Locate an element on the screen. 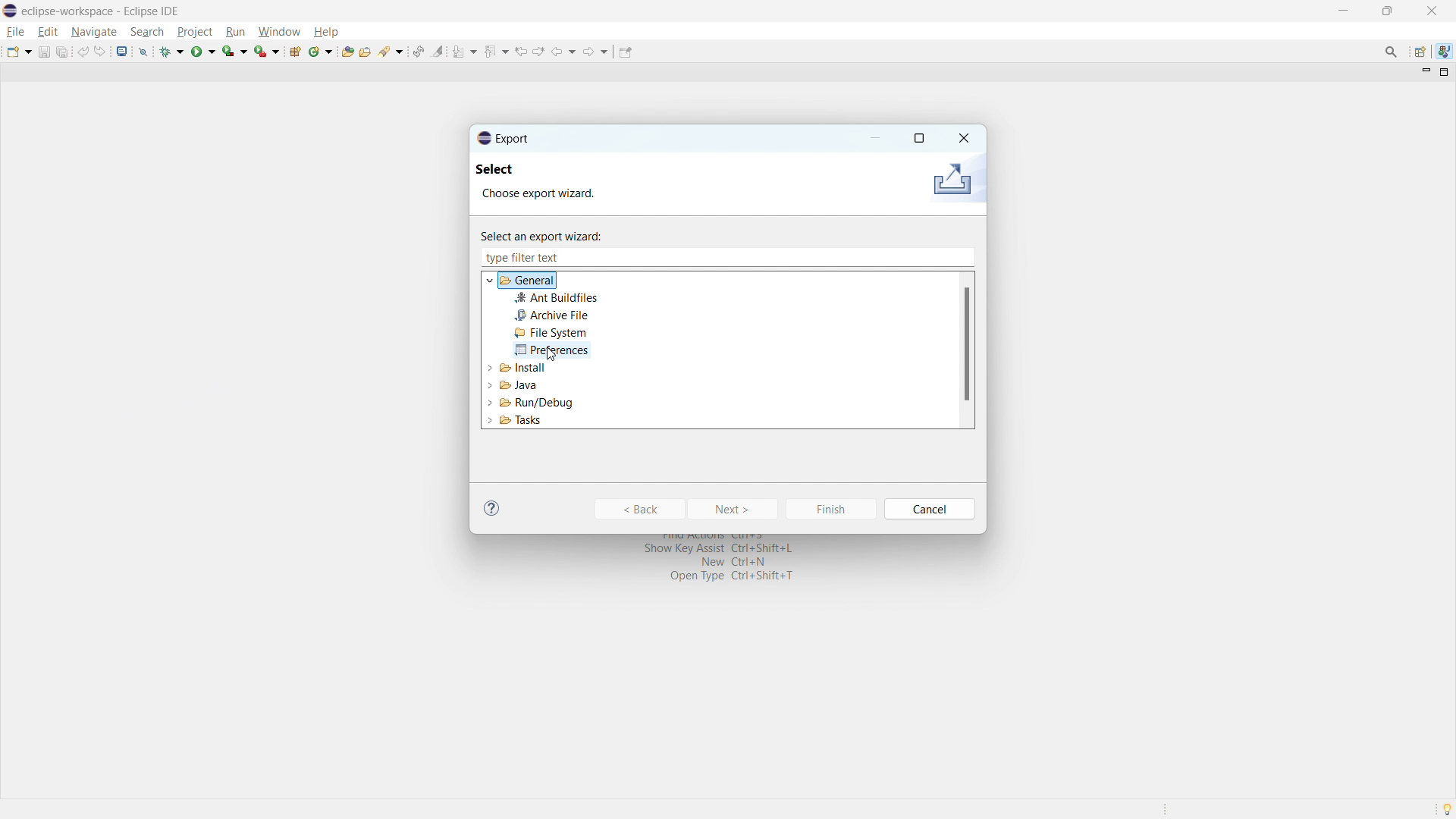 This screenshot has height=819, width=1456. general is located at coordinates (529, 281).